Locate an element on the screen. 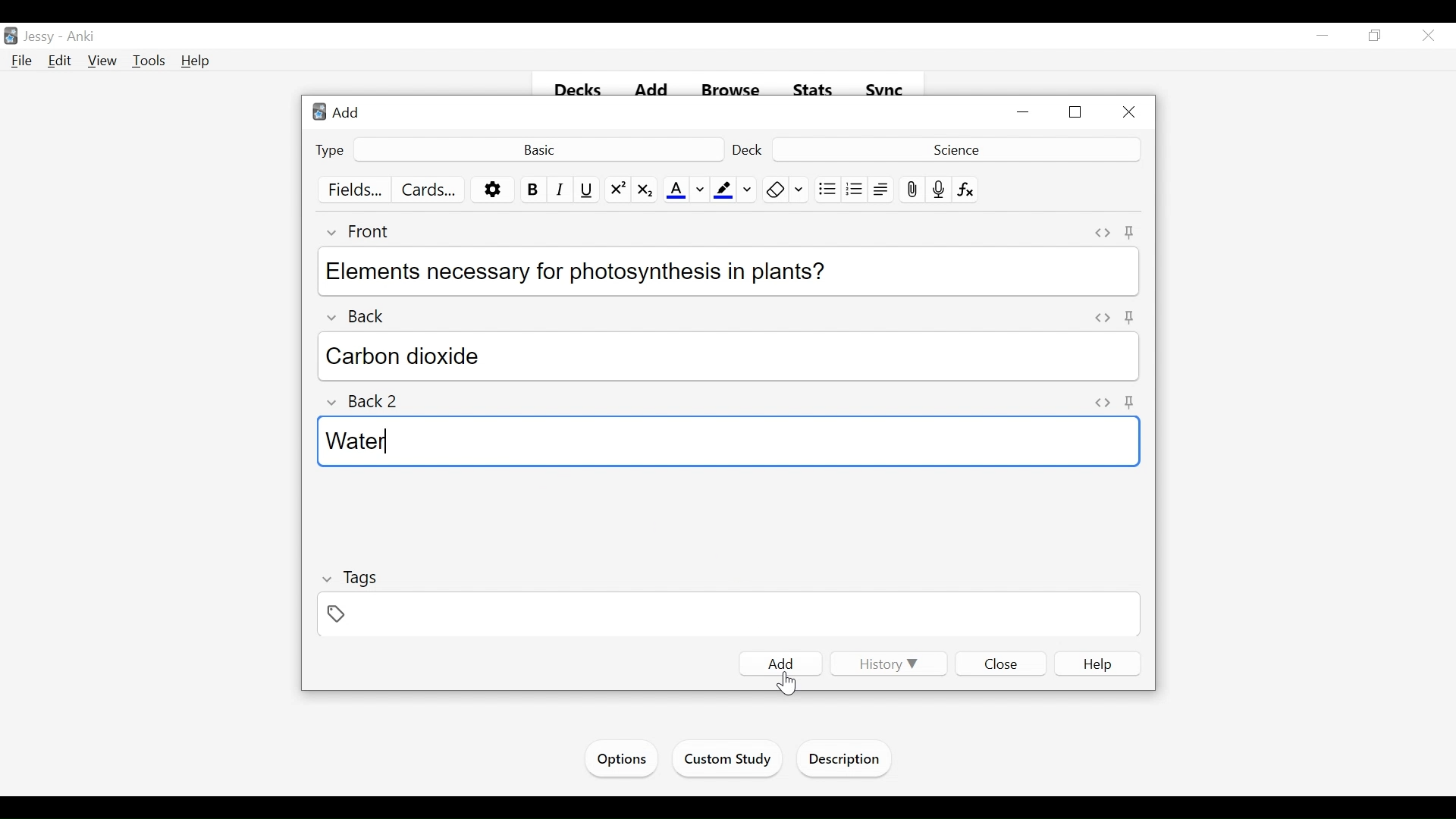 This screenshot has width=1456, height=819. Anki Desktop Icon is located at coordinates (11, 36).